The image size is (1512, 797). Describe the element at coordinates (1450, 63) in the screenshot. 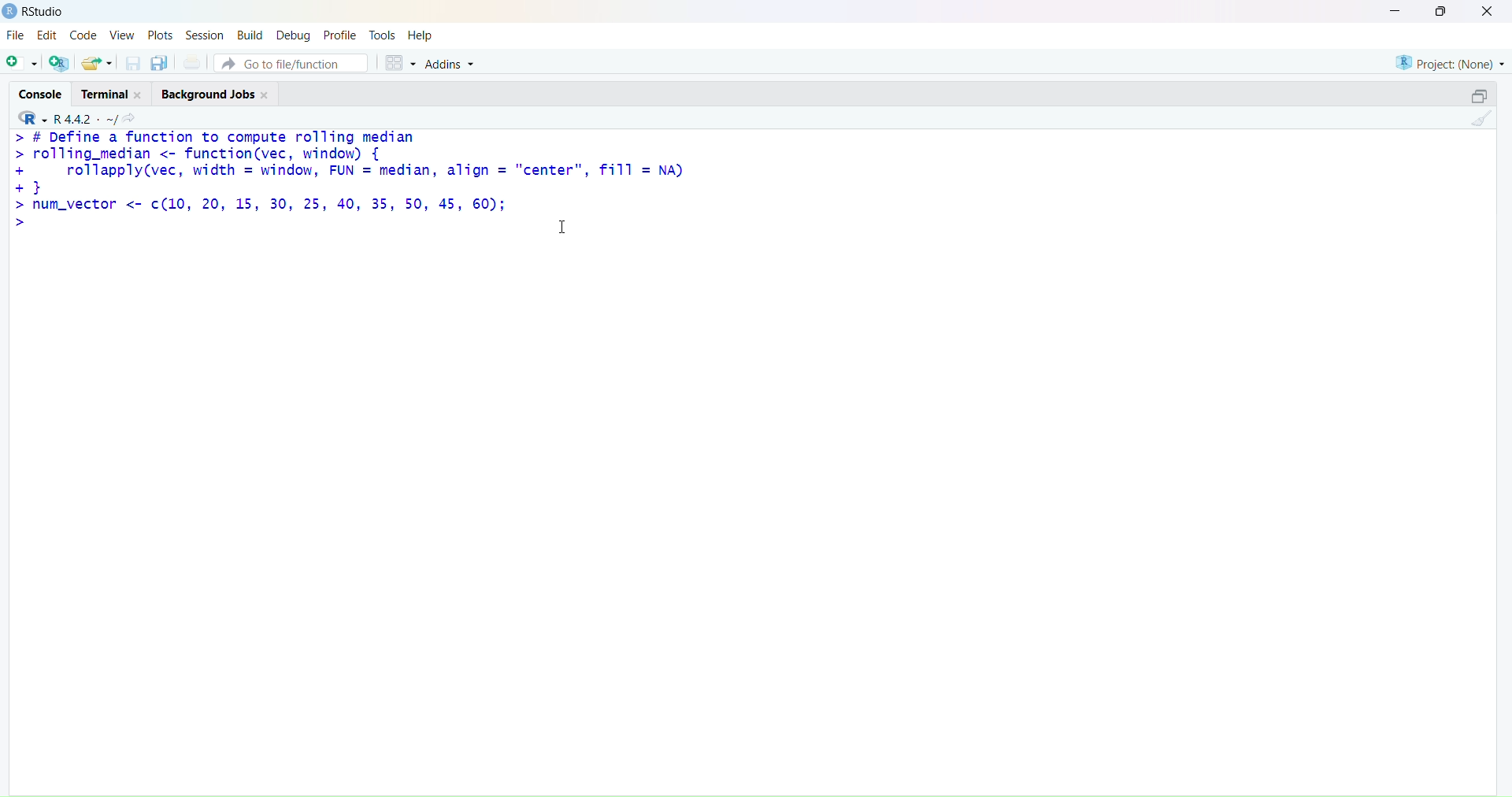

I see `project (none)` at that location.